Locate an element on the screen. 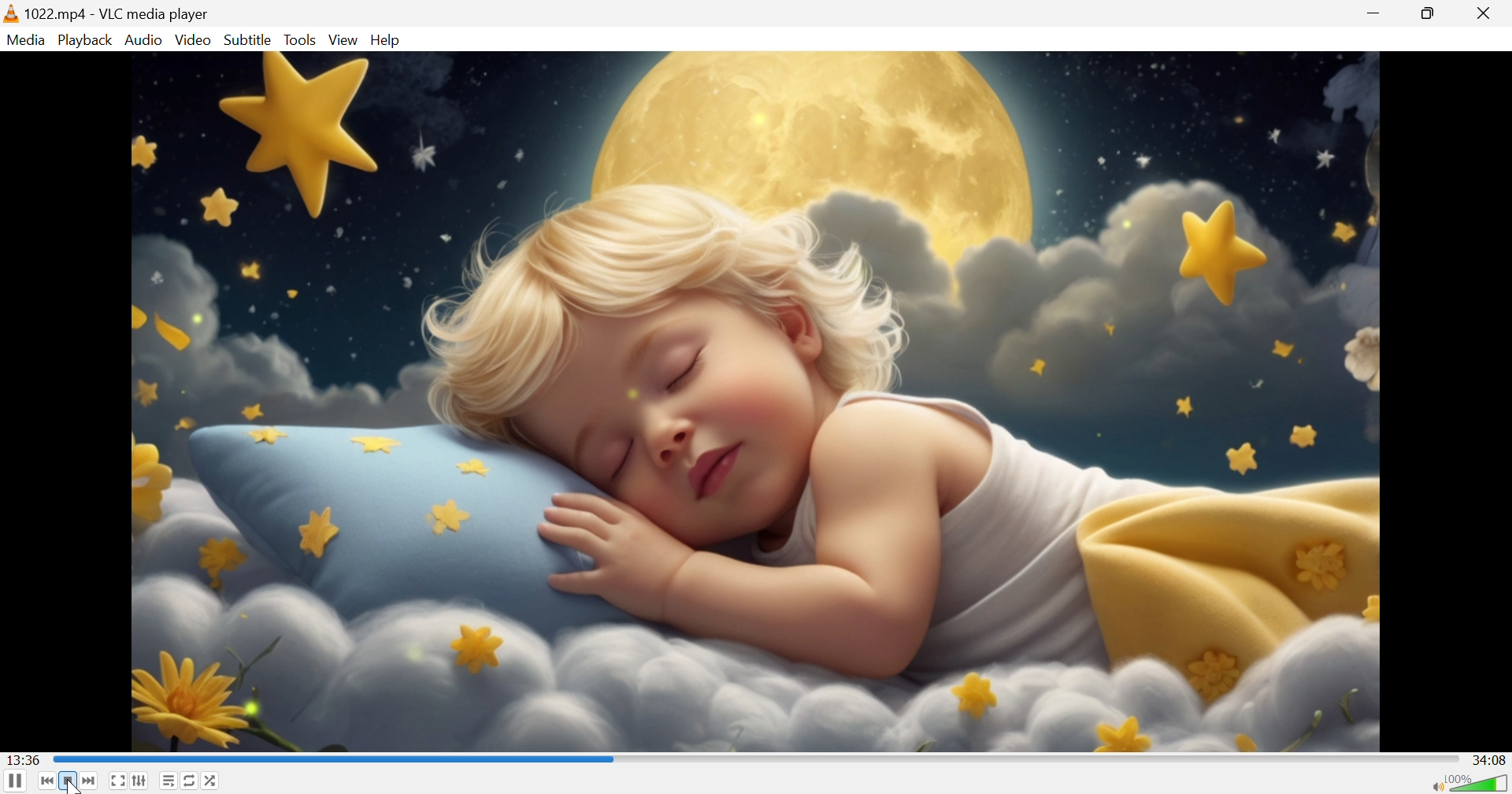  Tools is located at coordinates (302, 41).